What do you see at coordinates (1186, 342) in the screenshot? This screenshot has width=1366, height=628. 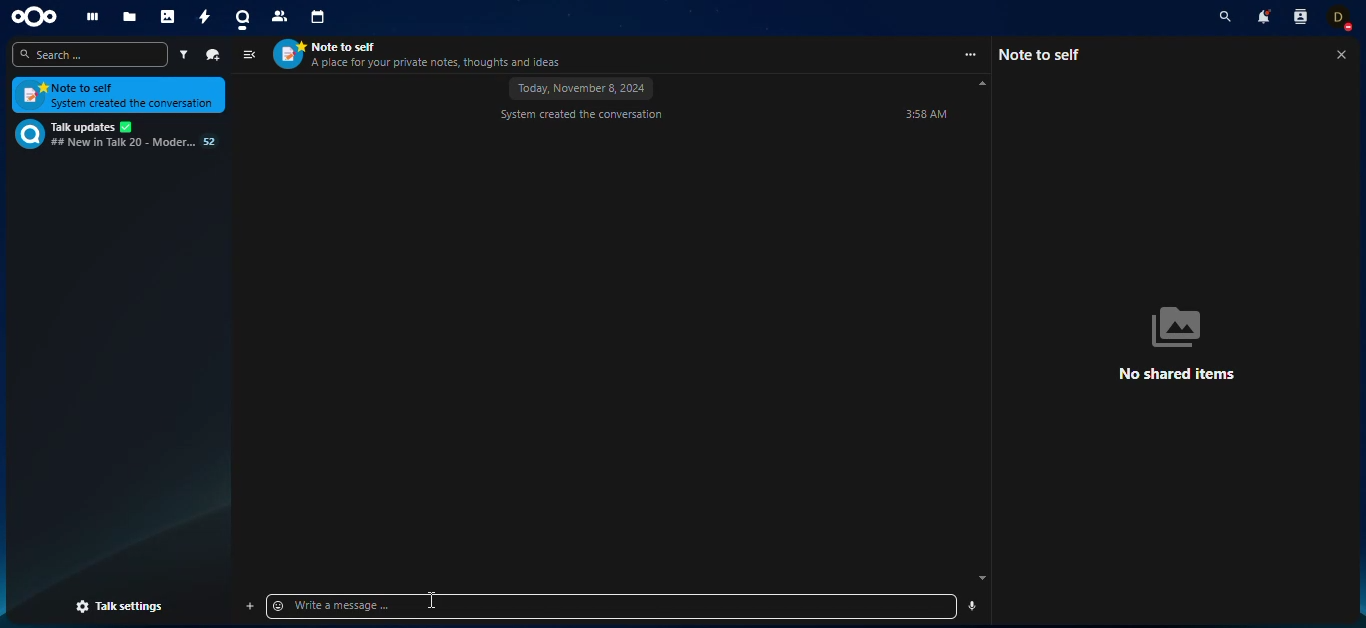 I see `no shared items` at bounding box center [1186, 342].